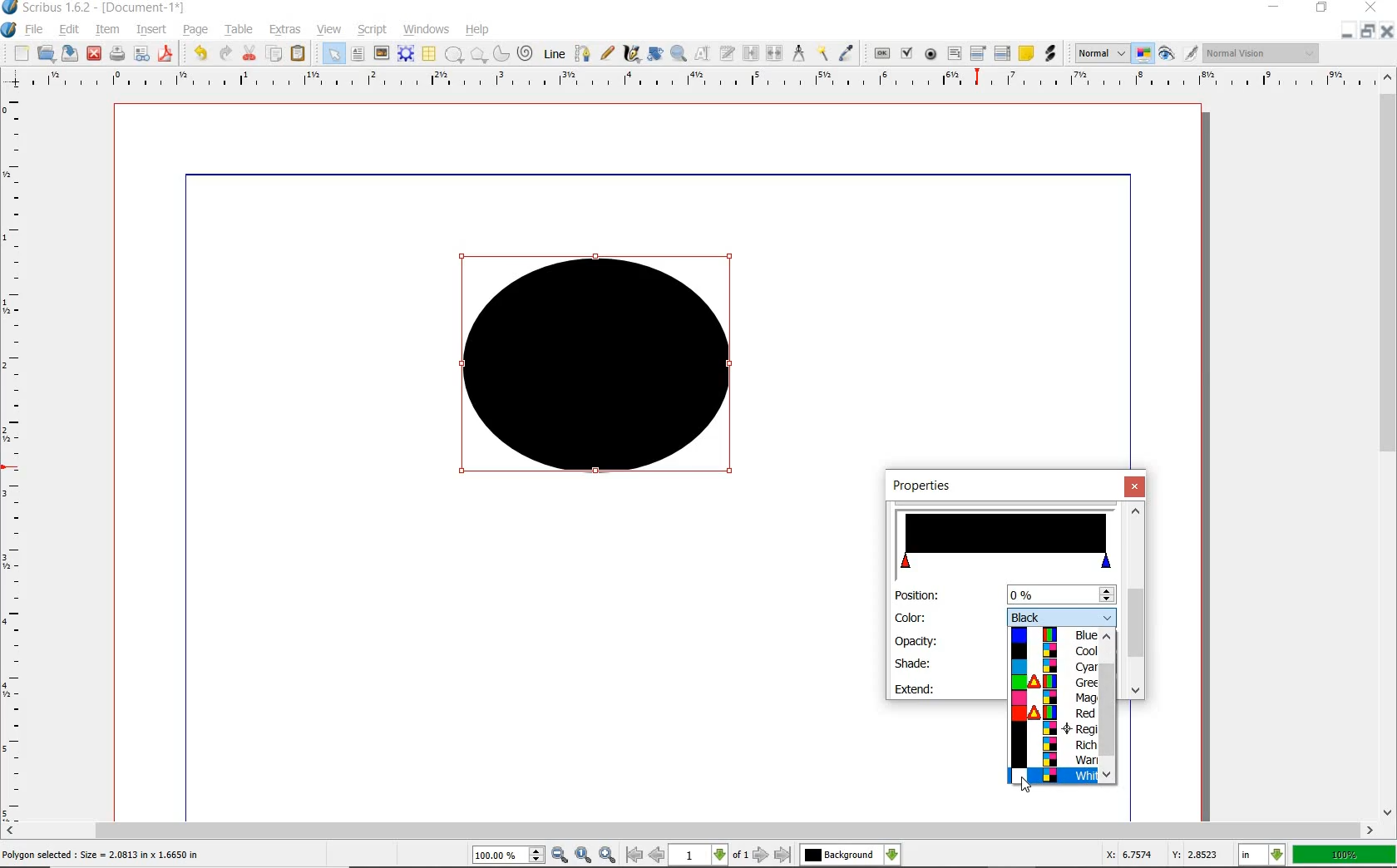 The height and width of the screenshot is (868, 1397). Describe the element at coordinates (370, 28) in the screenshot. I see `SCRIPT` at that location.